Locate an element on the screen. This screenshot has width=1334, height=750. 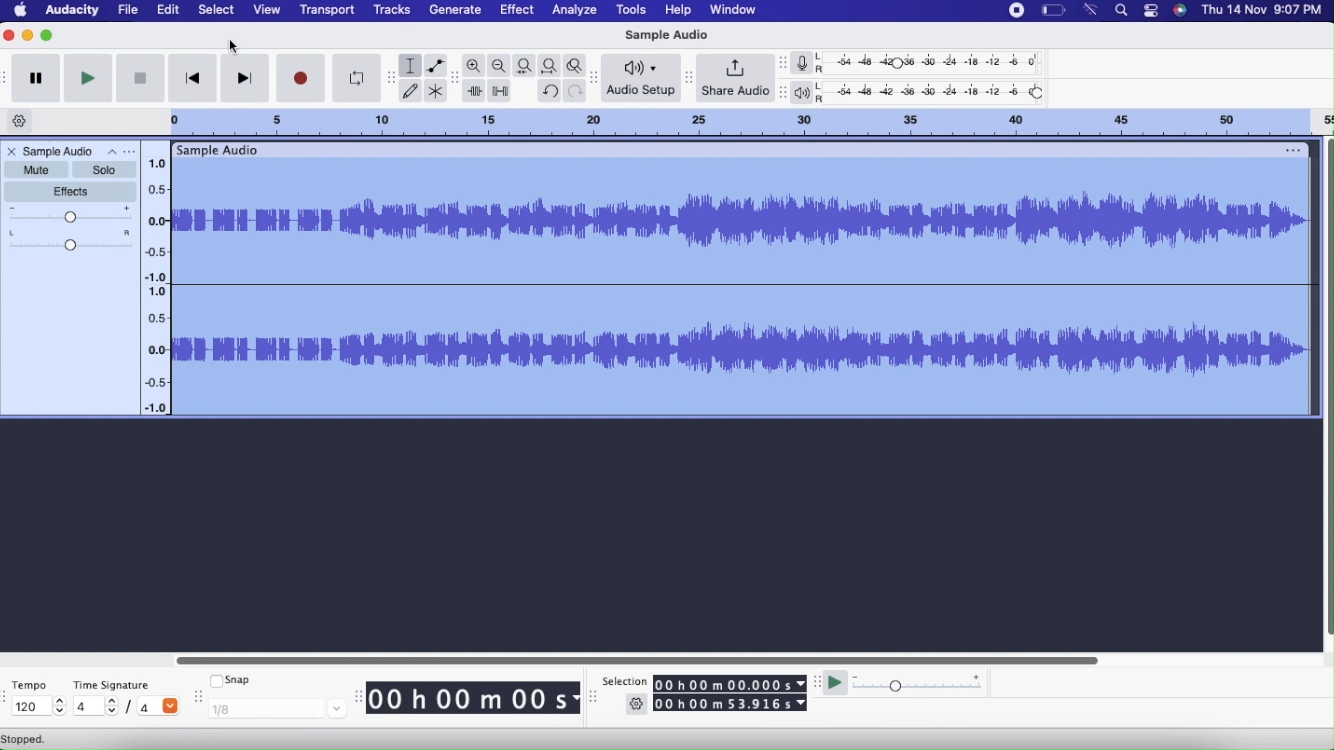
00 h 00 m 53.916 s is located at coordinates (731, 703).